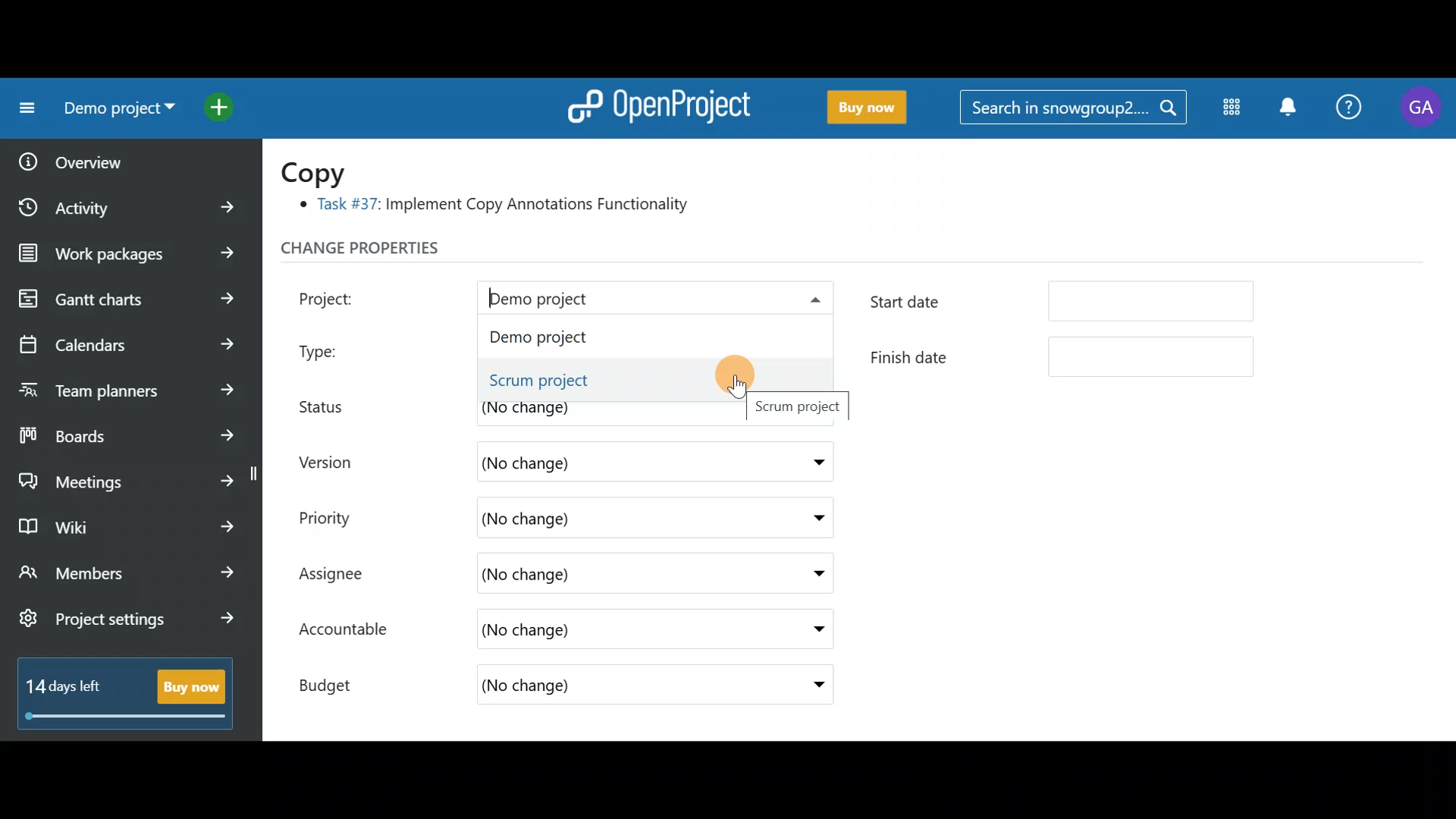  Describe the element at coordinates (126, 338) in the screenshot. I see `Calendars` at that location.